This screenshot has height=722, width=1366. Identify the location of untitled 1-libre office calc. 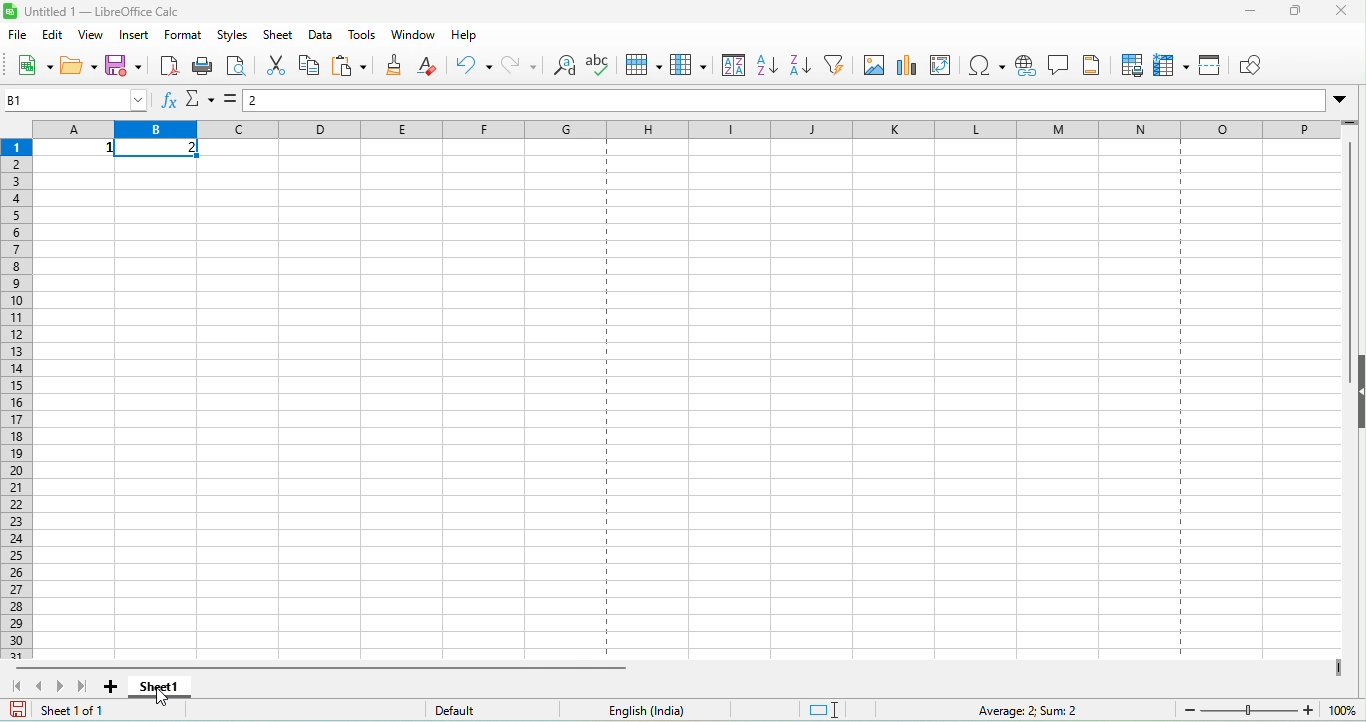
(102, 10).